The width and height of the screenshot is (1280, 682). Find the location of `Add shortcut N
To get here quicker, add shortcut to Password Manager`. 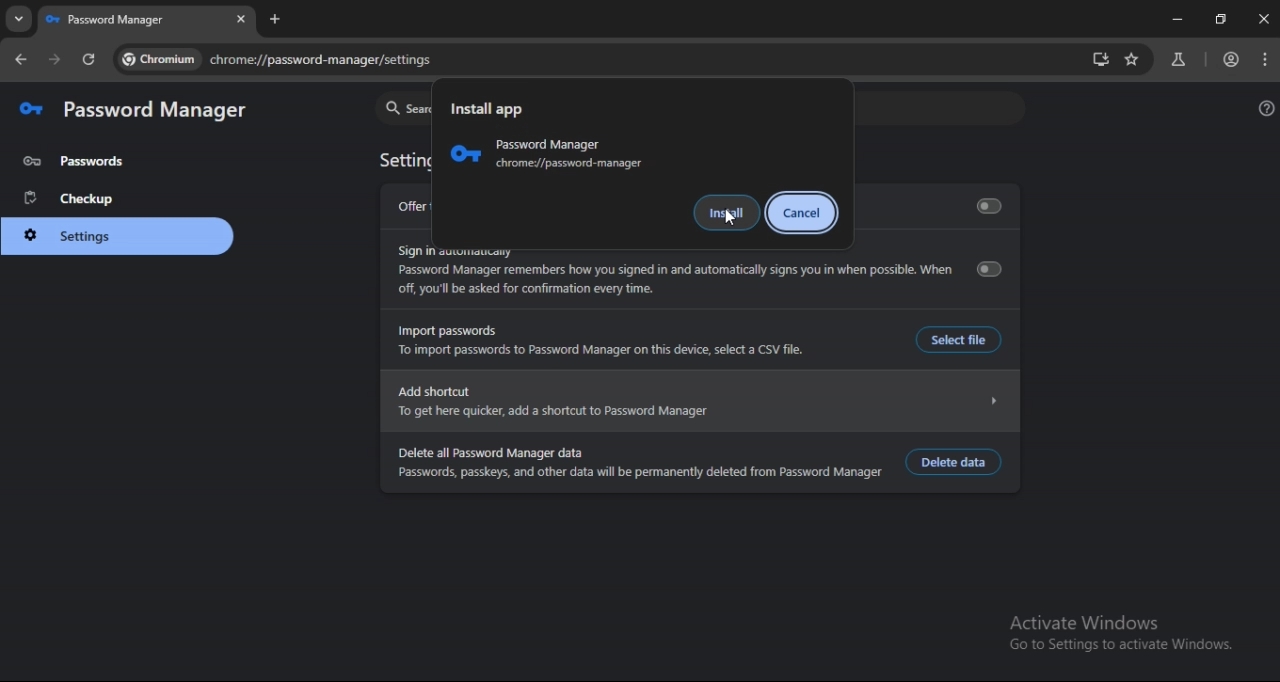

Add shortcut N
To get here quicker, add shortcut to Password Manager is located at coordinates (698, 404).